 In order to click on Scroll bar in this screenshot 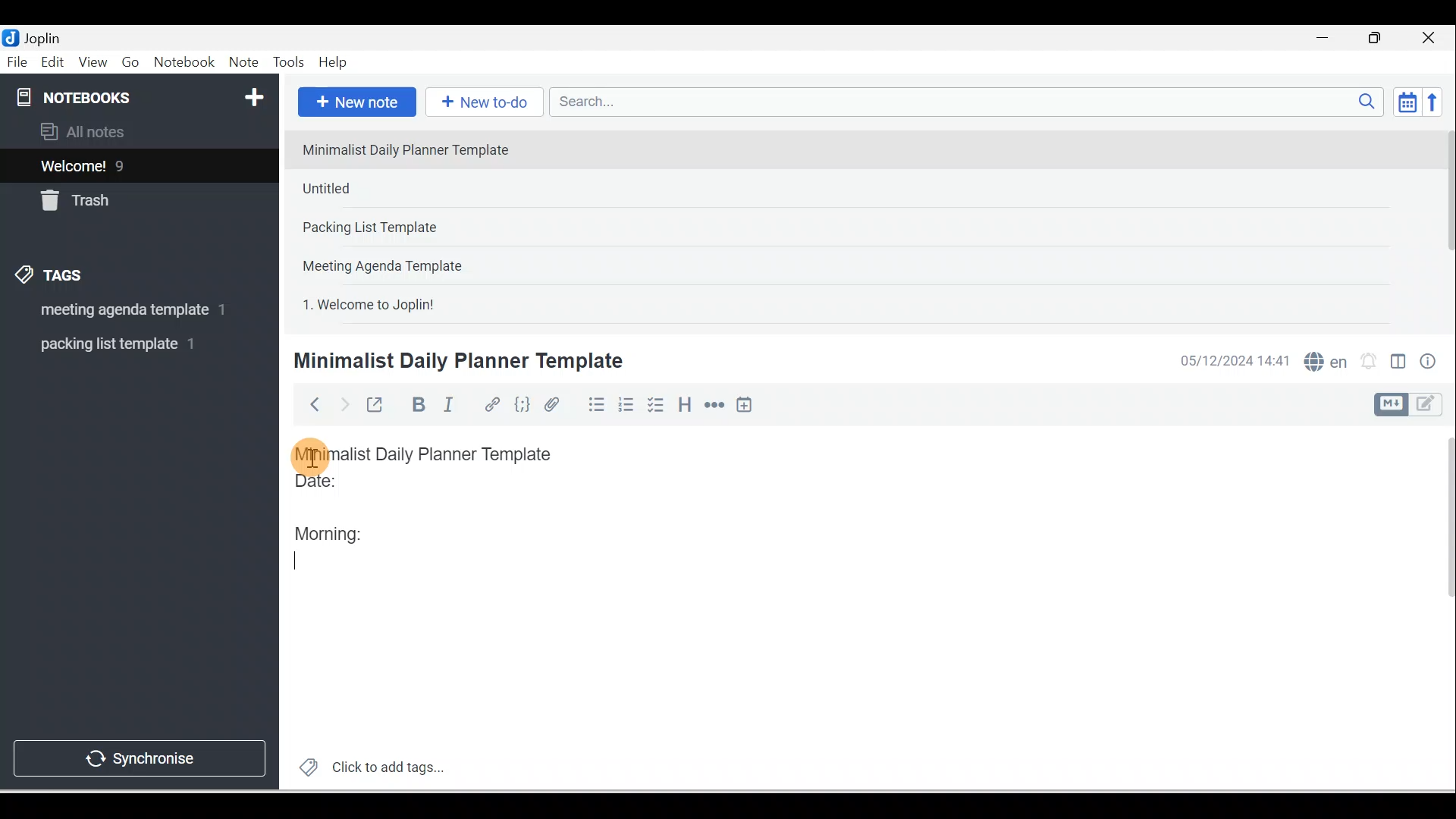, I will do `click(1439, 608)`.